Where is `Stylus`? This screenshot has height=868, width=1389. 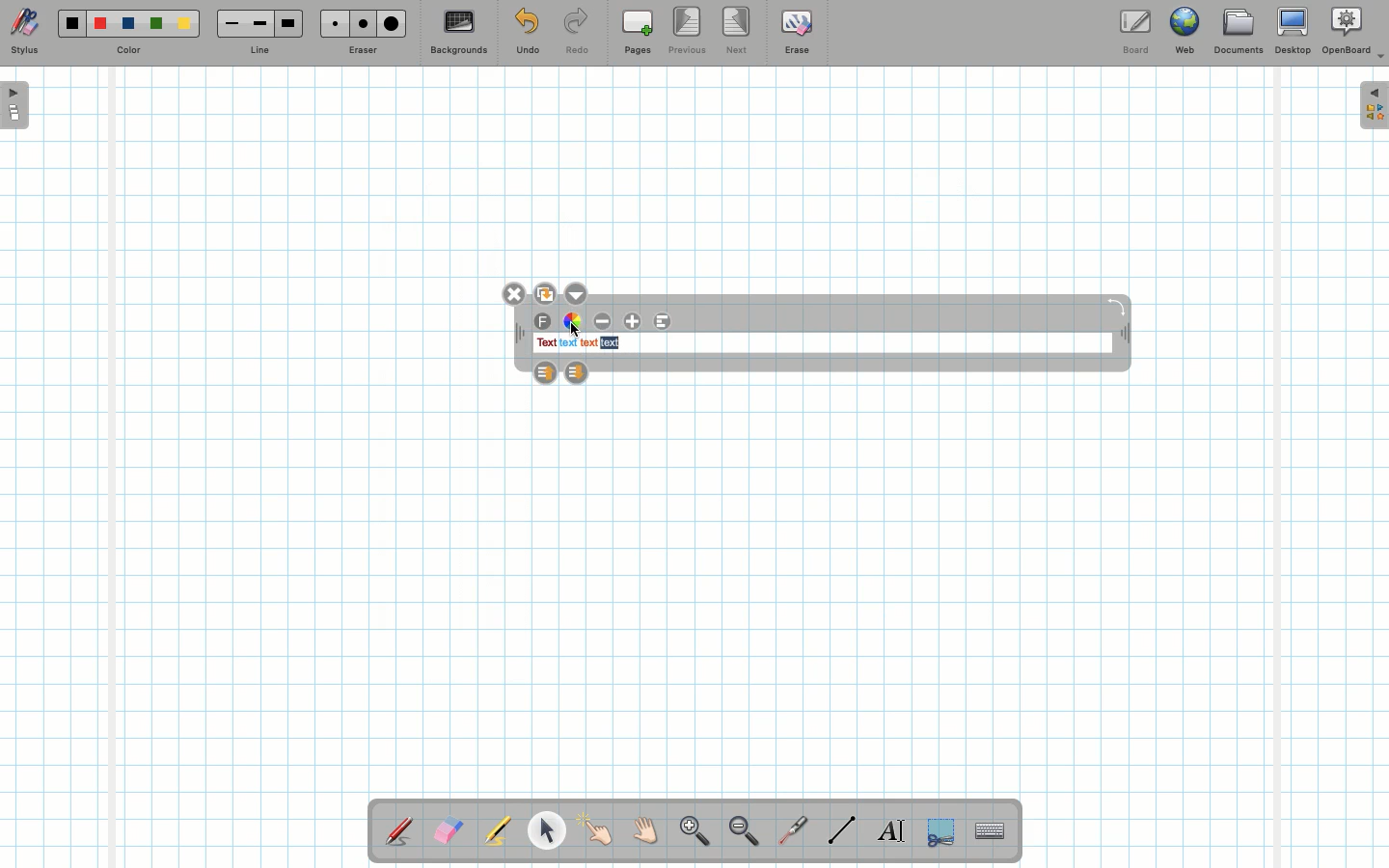
Stylus is located at coordinates (400, 830).